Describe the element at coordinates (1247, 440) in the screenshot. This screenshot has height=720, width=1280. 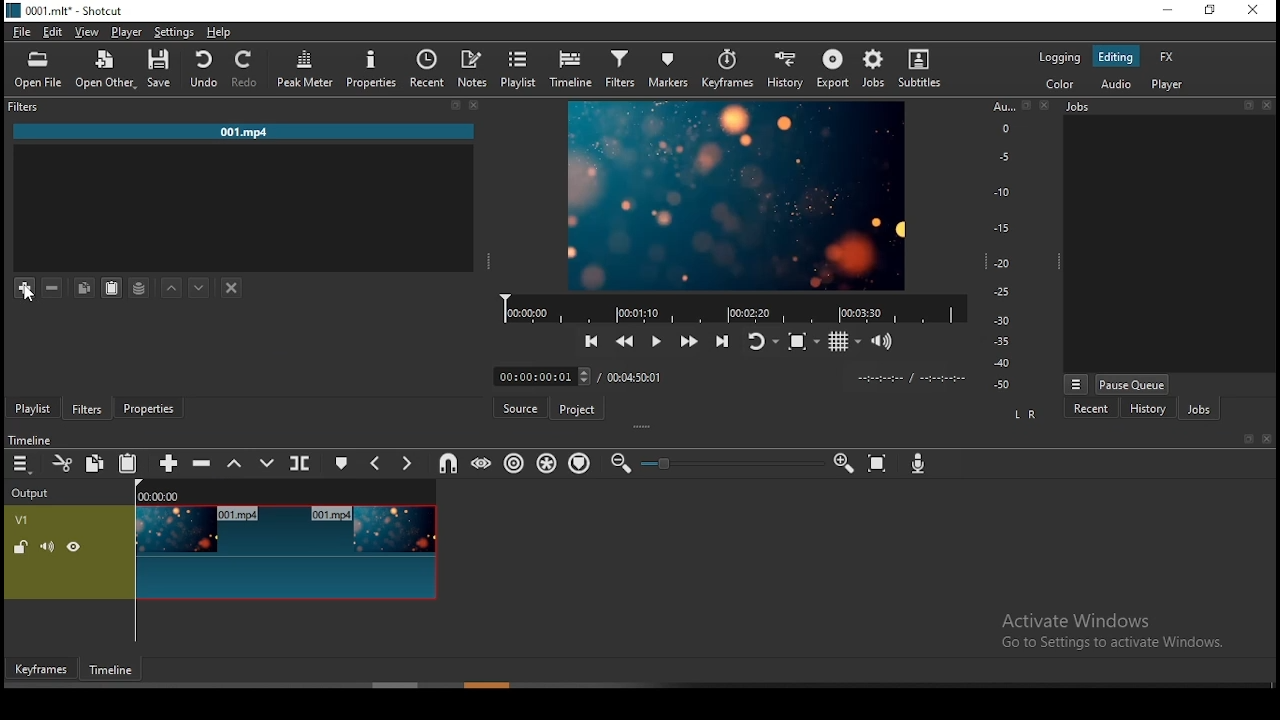
I see `book mark` at that location.